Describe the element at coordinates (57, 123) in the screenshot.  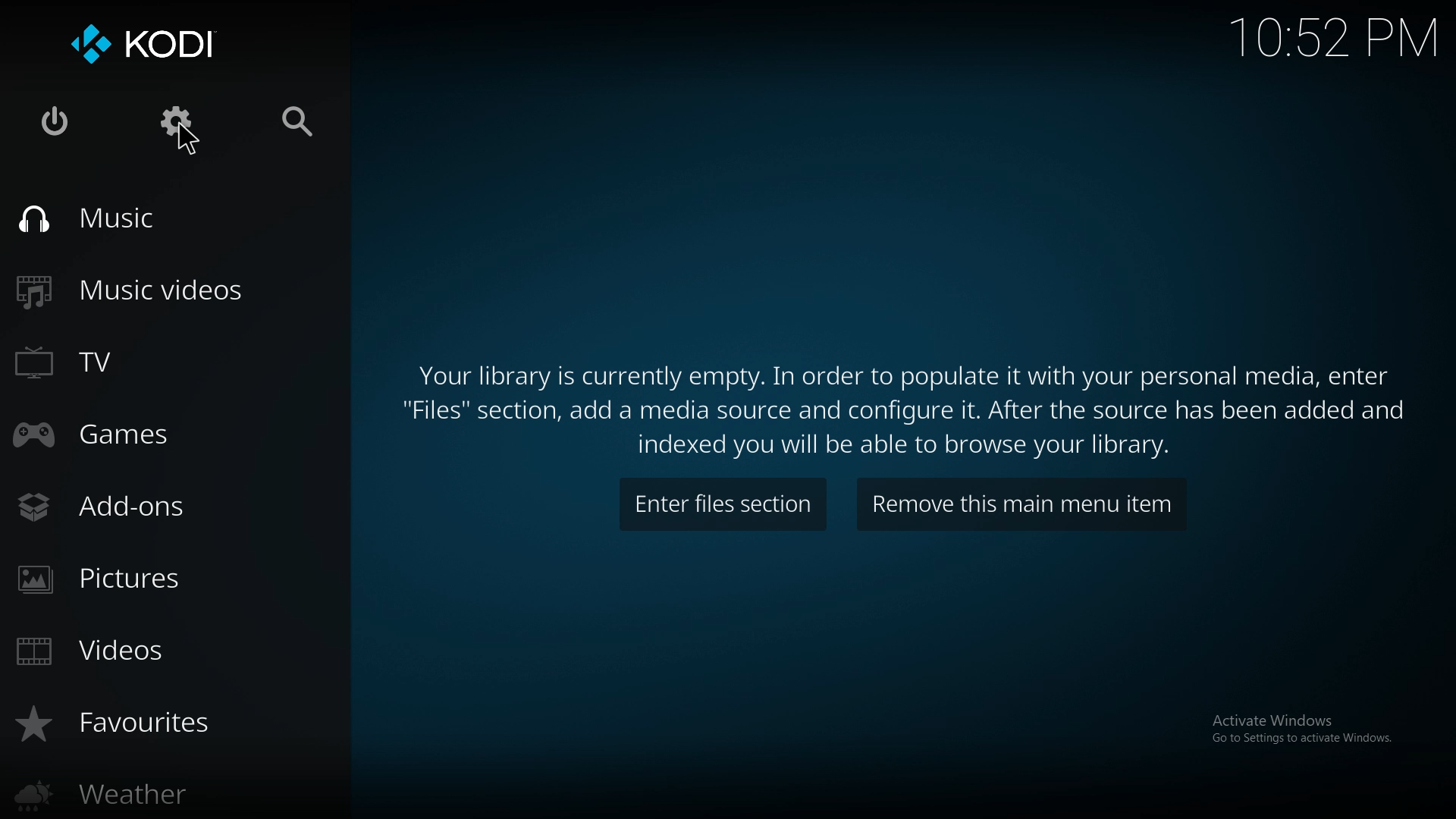
I see `close` at that location.